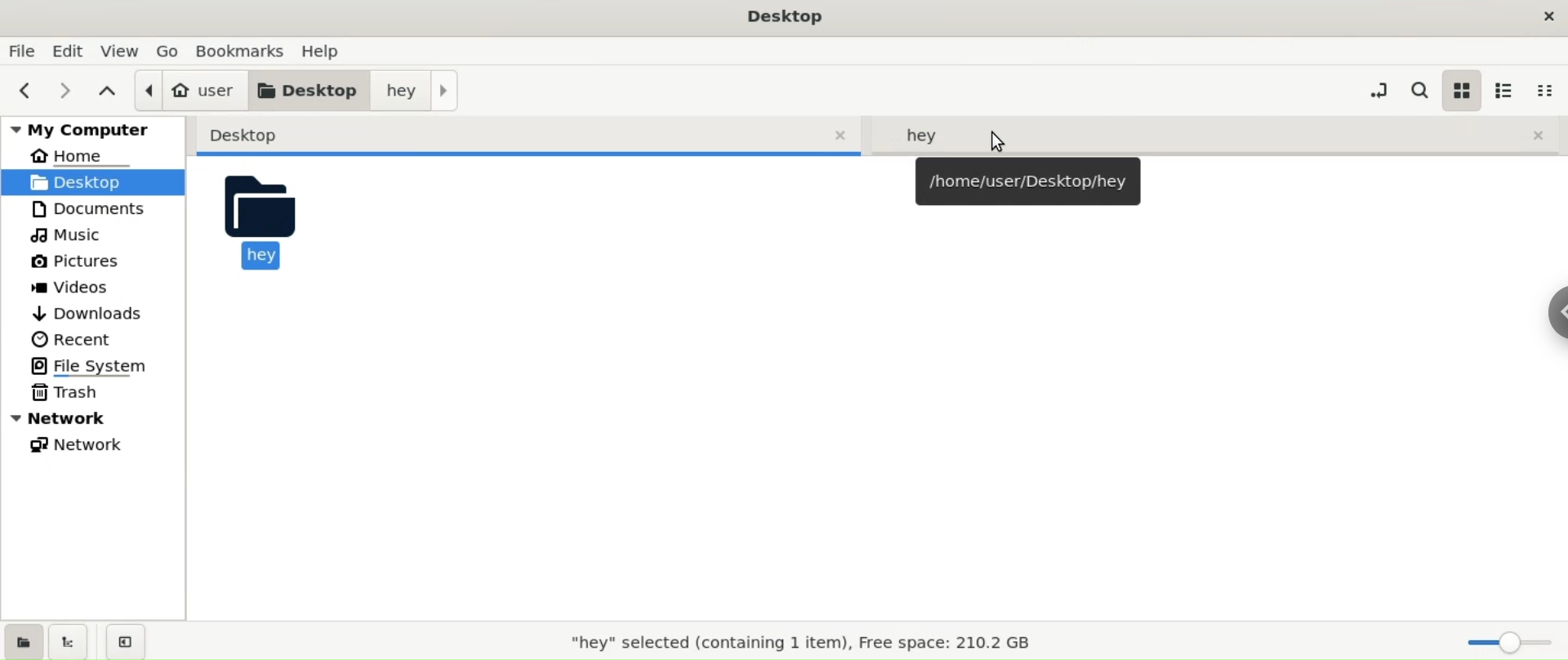 This screenshot has height=660, width=1568. Describe the element at coordinates (71, 640) in the screenshot. I see `show treeview` at that location.